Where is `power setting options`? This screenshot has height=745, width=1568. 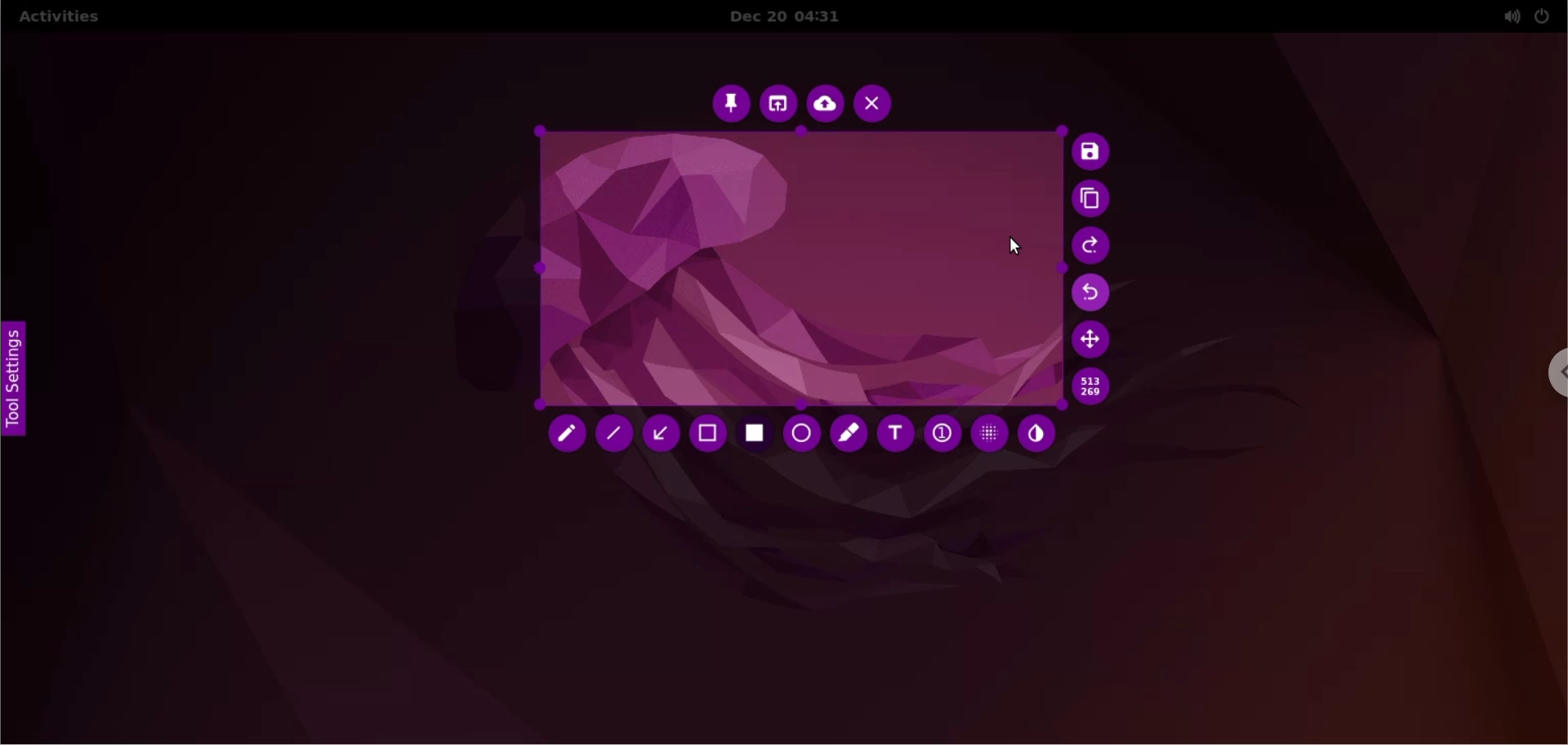
power setting options is located at coordinates (1548, 15).